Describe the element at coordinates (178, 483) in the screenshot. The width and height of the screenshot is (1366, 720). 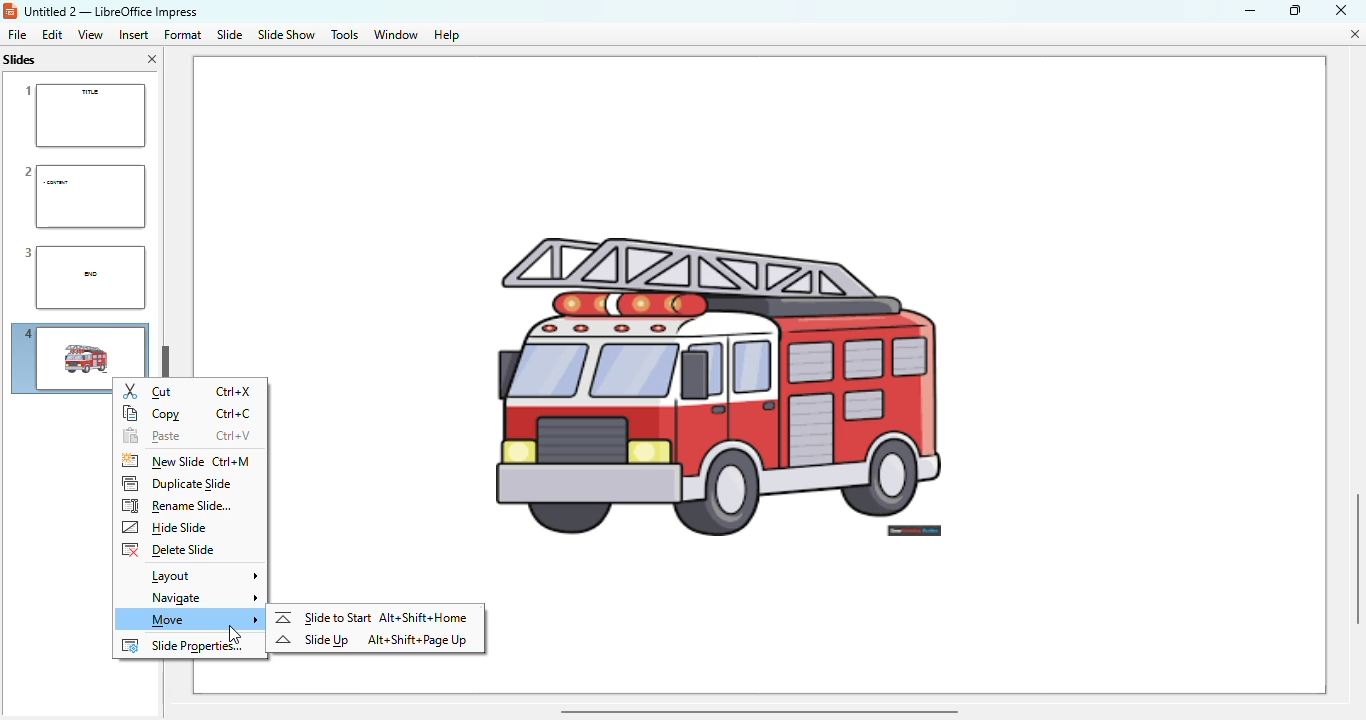
I see `duplicate slide` at that location.